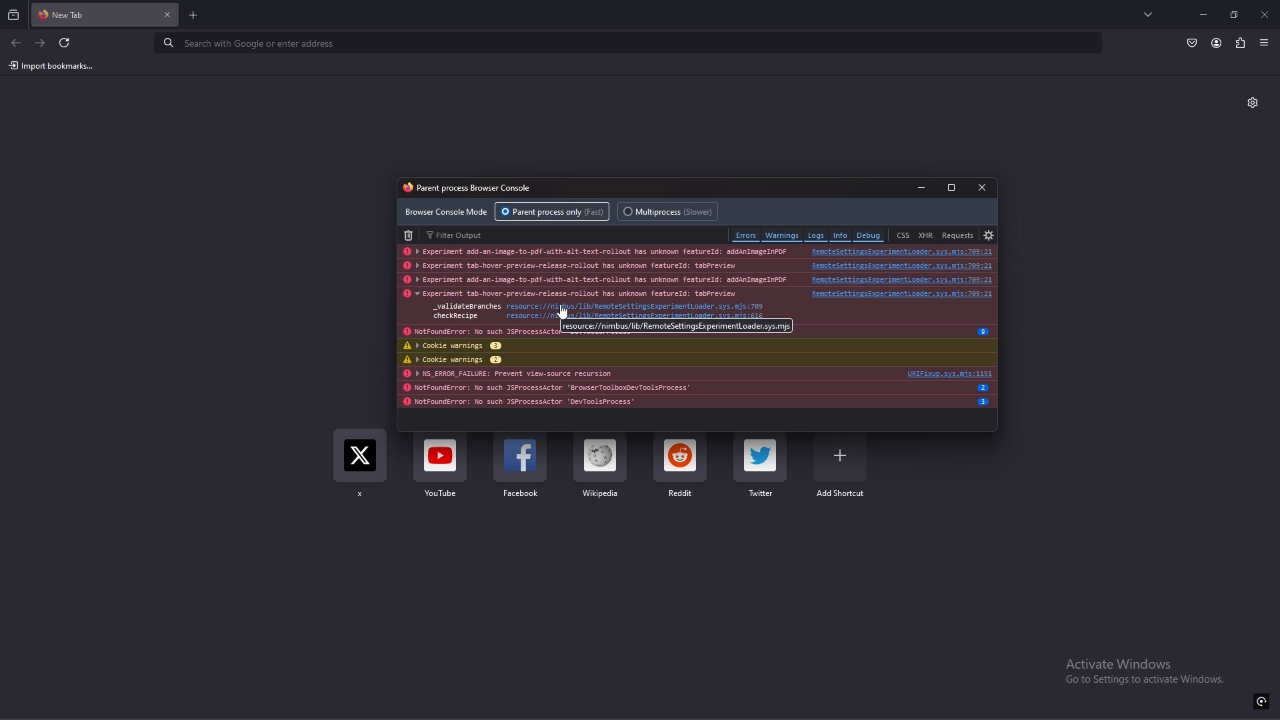 The image size is (1280, 720). What do you see at coordinates (587, 360) in the screenshot?
I see `cookie warnings` at bounding box center [587, 360].